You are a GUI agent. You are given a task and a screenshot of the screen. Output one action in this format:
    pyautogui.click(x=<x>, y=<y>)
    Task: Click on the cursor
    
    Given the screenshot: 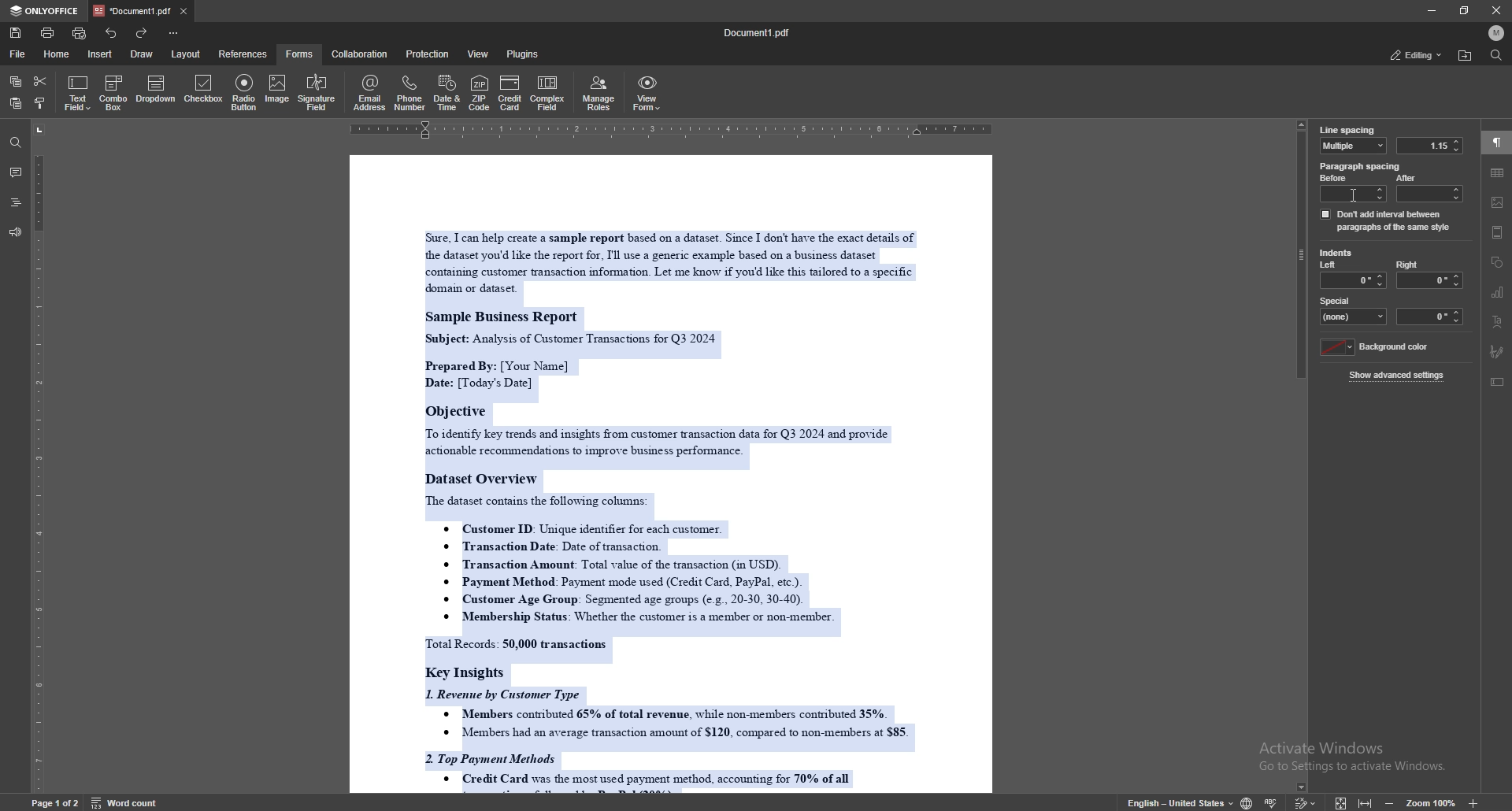 What is the action you would take?
    pyautogui.click(x=1359, y=193)
    